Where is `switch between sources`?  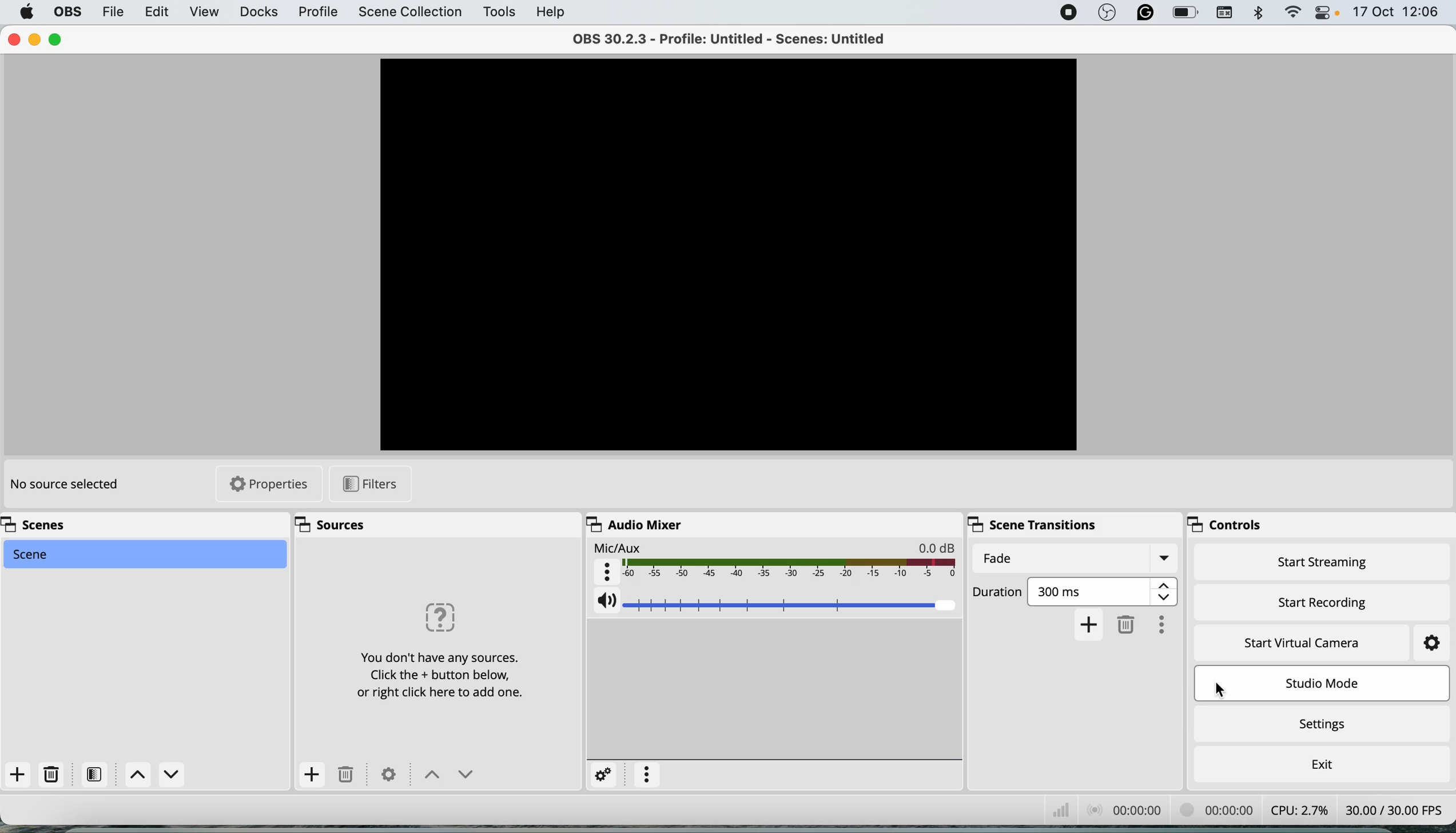
switch between sources is located at coordinates (445, 776).